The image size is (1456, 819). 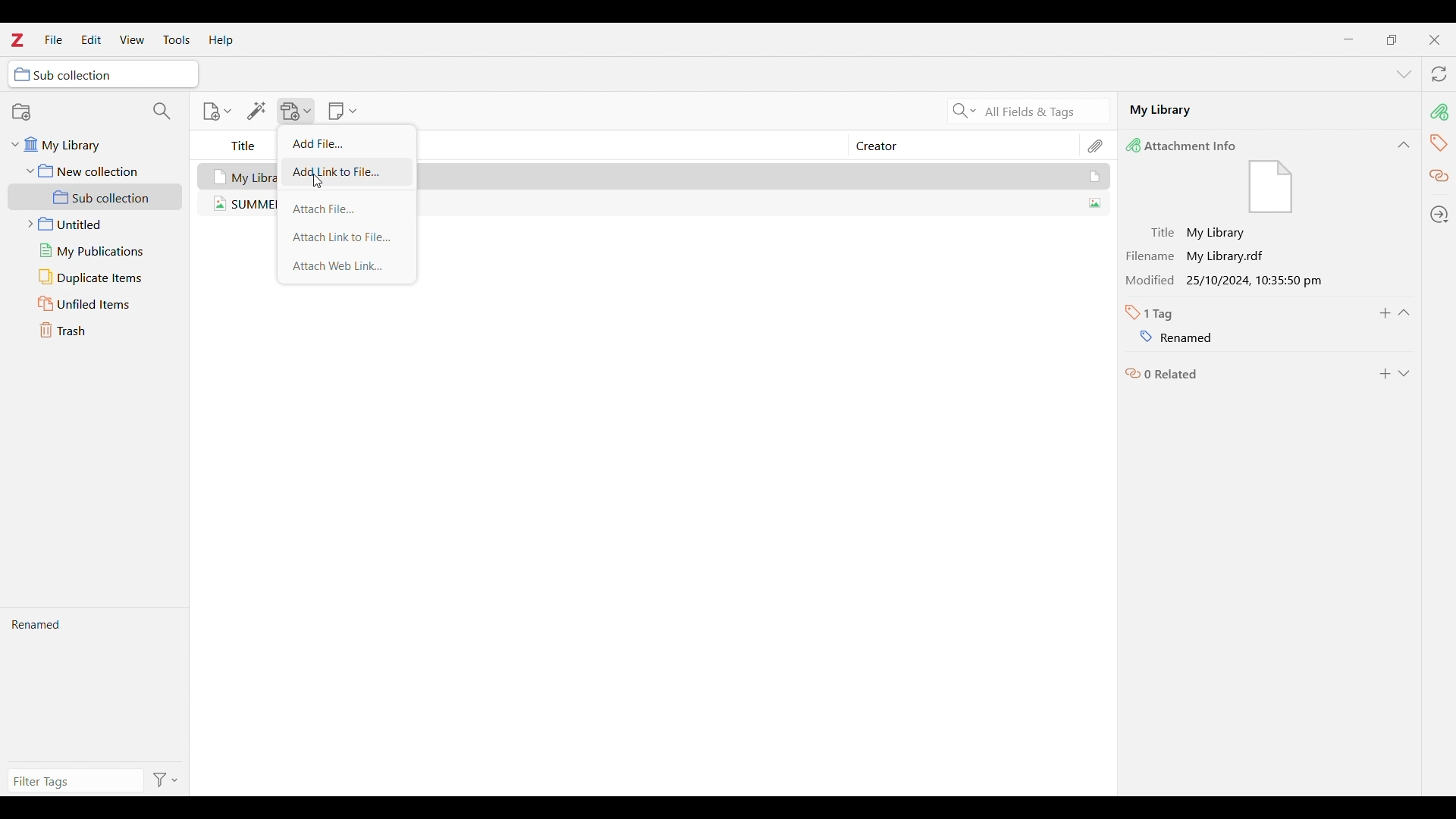 I want to click on List all tabs, so click(x=1404, y=74).